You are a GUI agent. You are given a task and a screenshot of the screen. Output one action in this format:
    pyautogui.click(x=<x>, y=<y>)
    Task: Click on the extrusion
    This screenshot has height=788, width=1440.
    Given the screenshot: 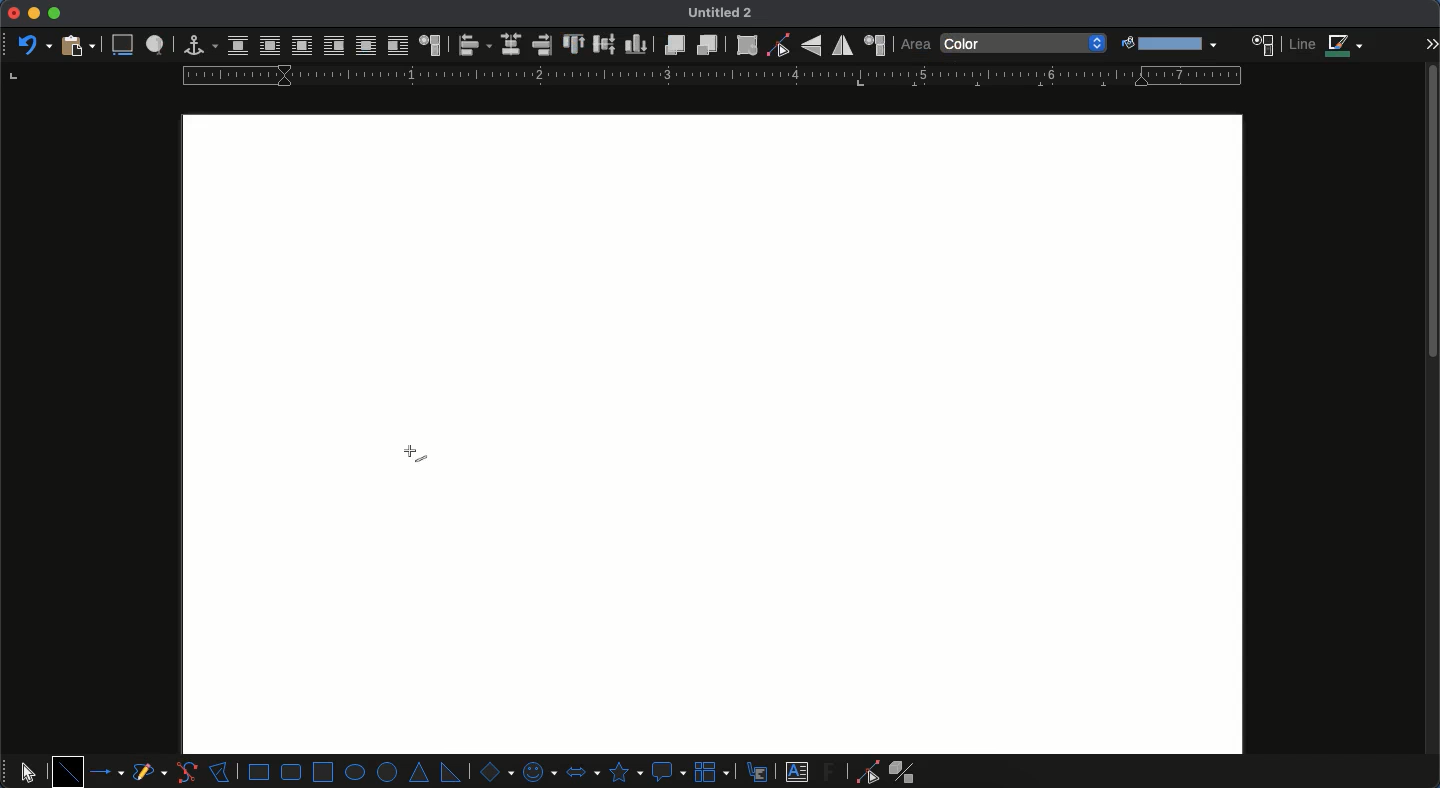 What is the action you would take?
    pyautogui.click(x=906, y=772)
    